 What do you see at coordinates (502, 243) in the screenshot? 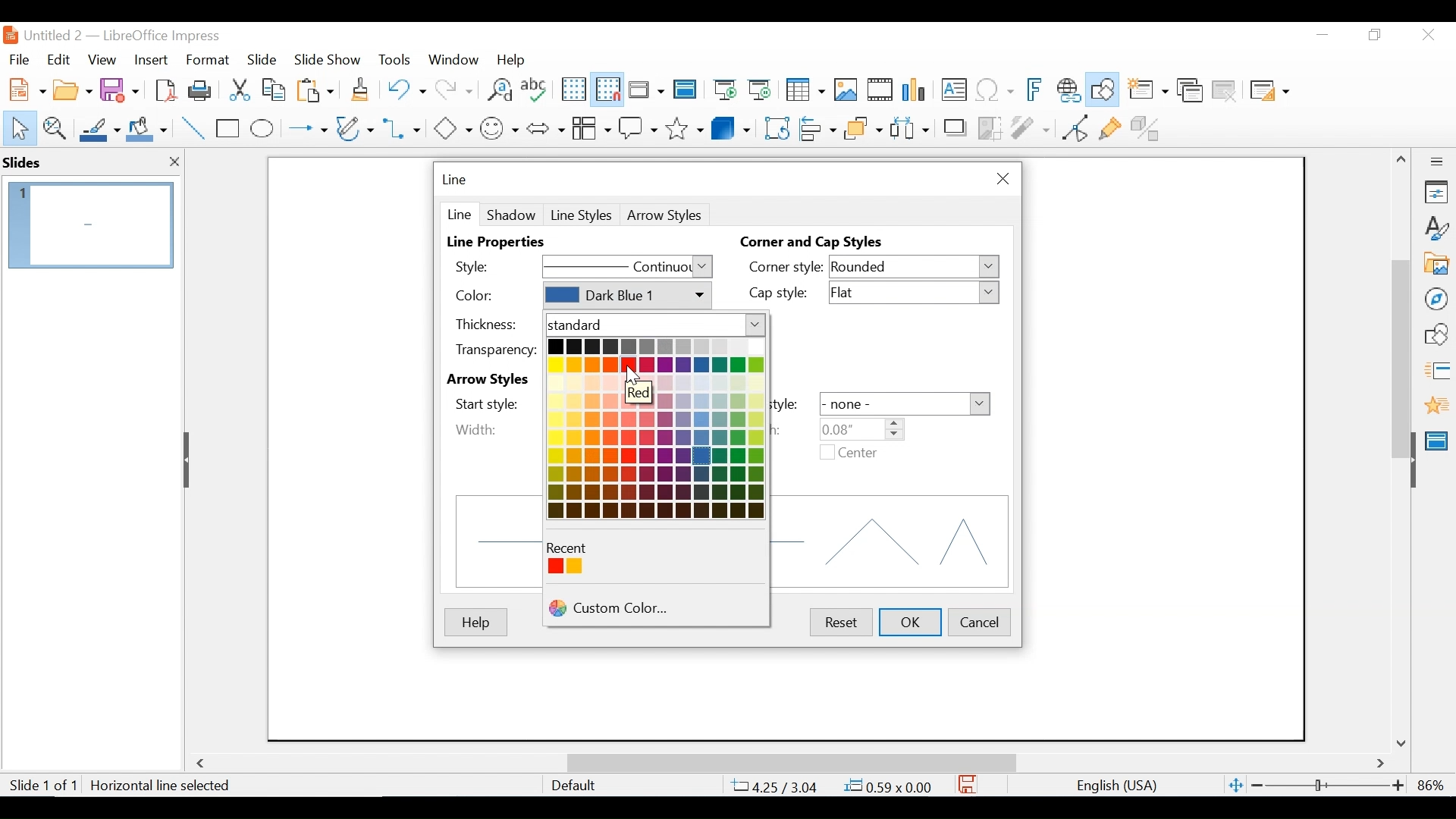
I see `Line Properties` at bounding box center [502, 243].